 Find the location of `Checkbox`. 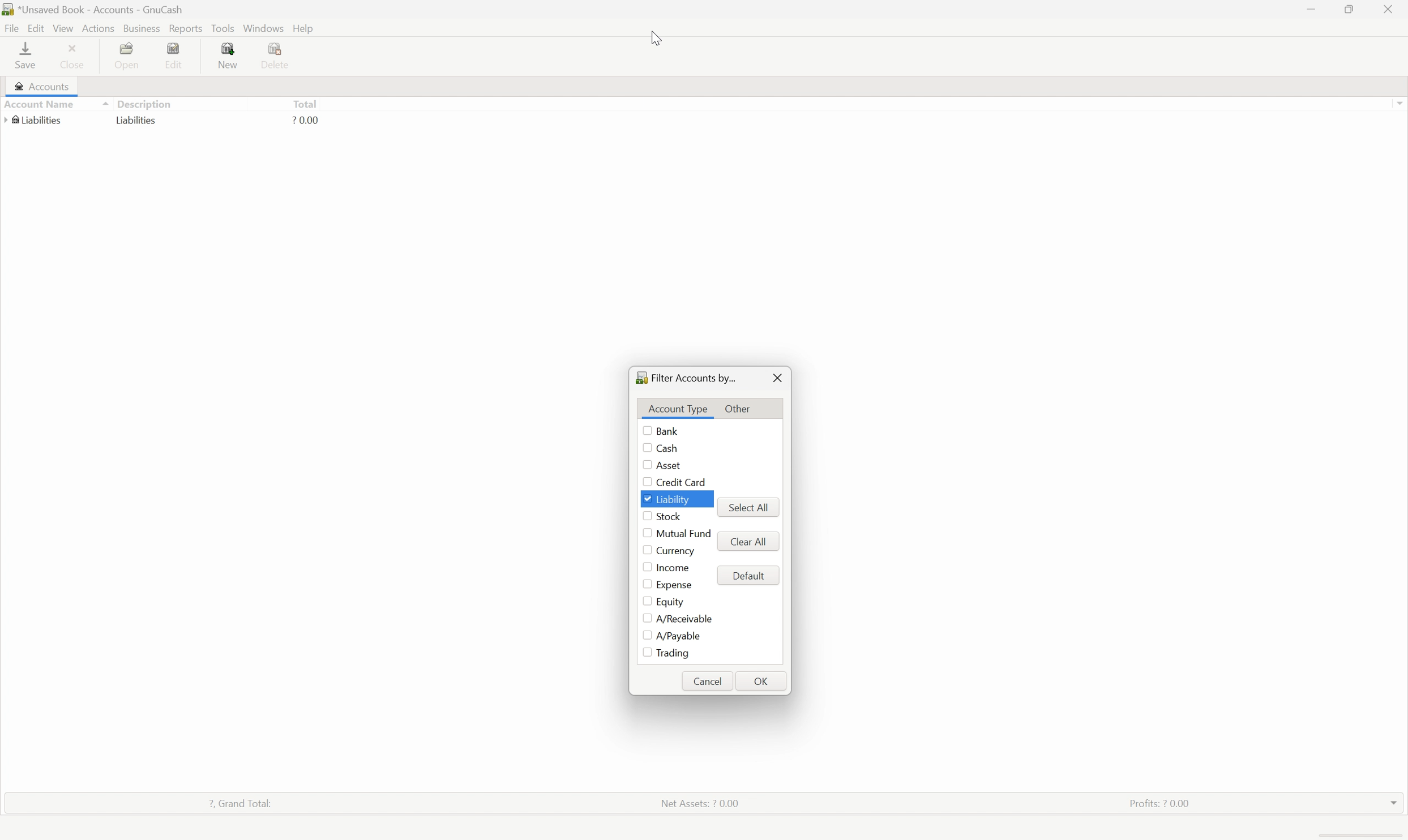

Checkbox is located at coordinates (645, 569).